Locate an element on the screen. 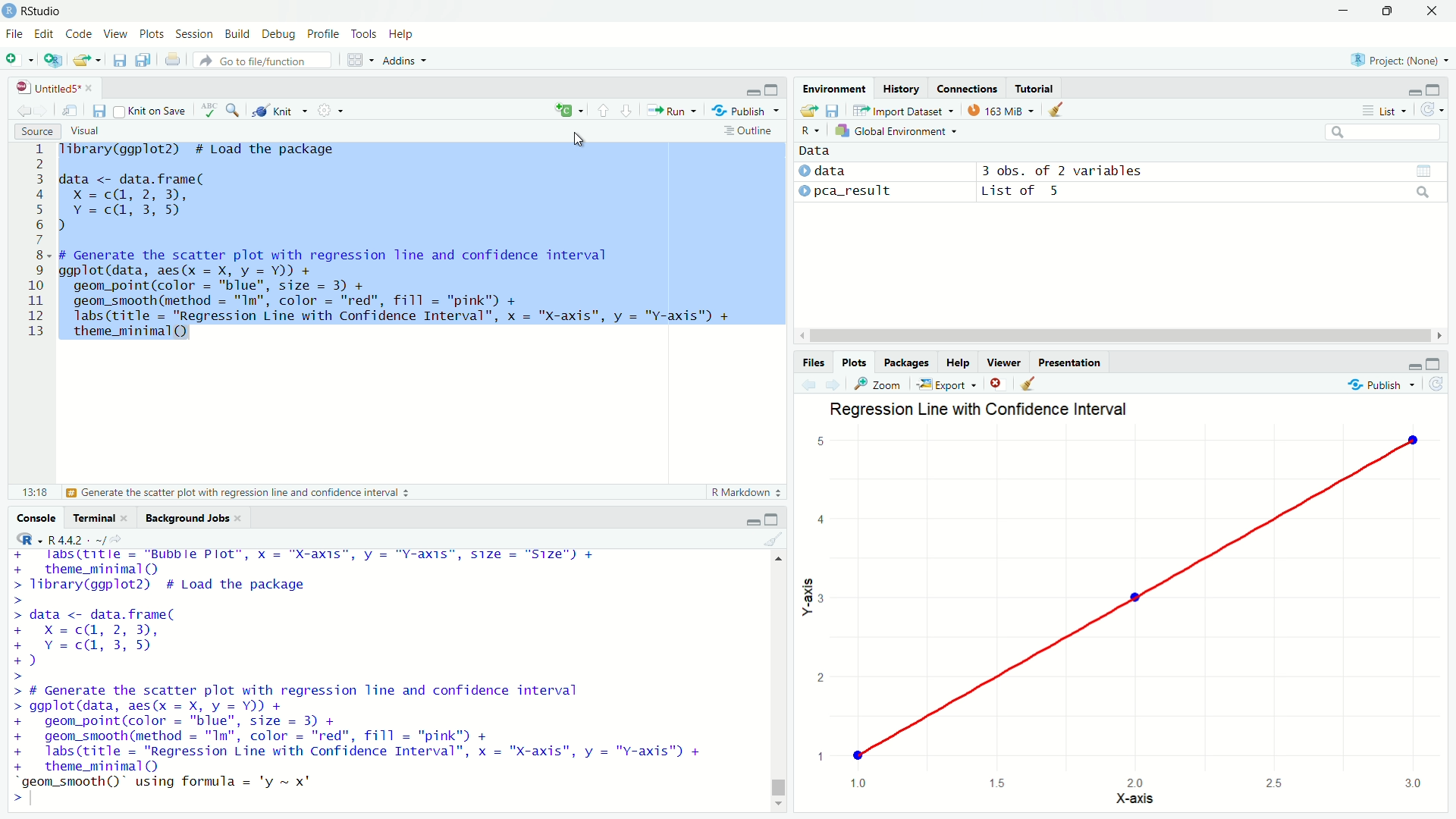 Image resolution: width=1456 pixels, height=819 pixels. Open an existing file is located at coordinates (77, 60).